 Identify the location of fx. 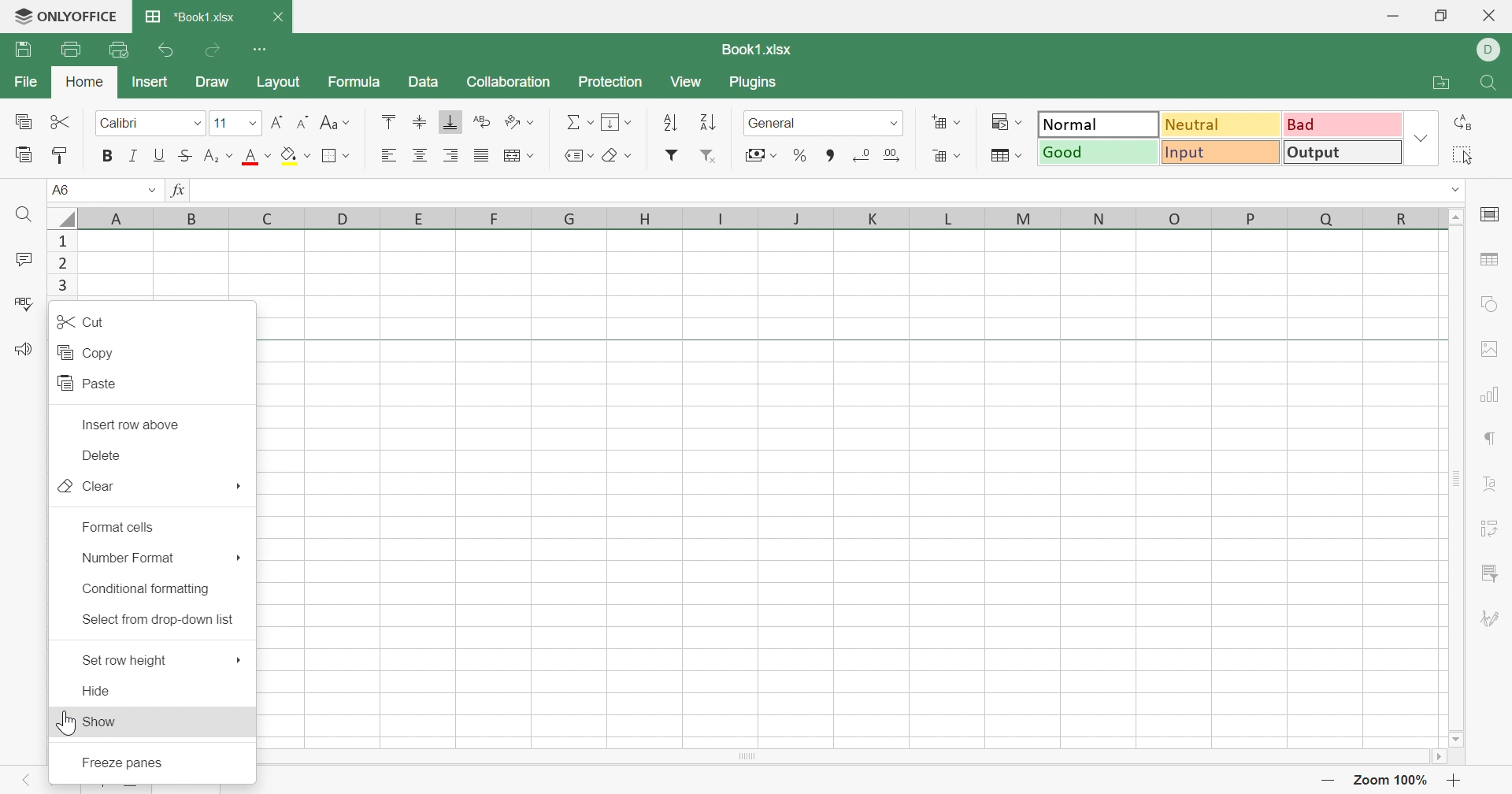
(176, 189).